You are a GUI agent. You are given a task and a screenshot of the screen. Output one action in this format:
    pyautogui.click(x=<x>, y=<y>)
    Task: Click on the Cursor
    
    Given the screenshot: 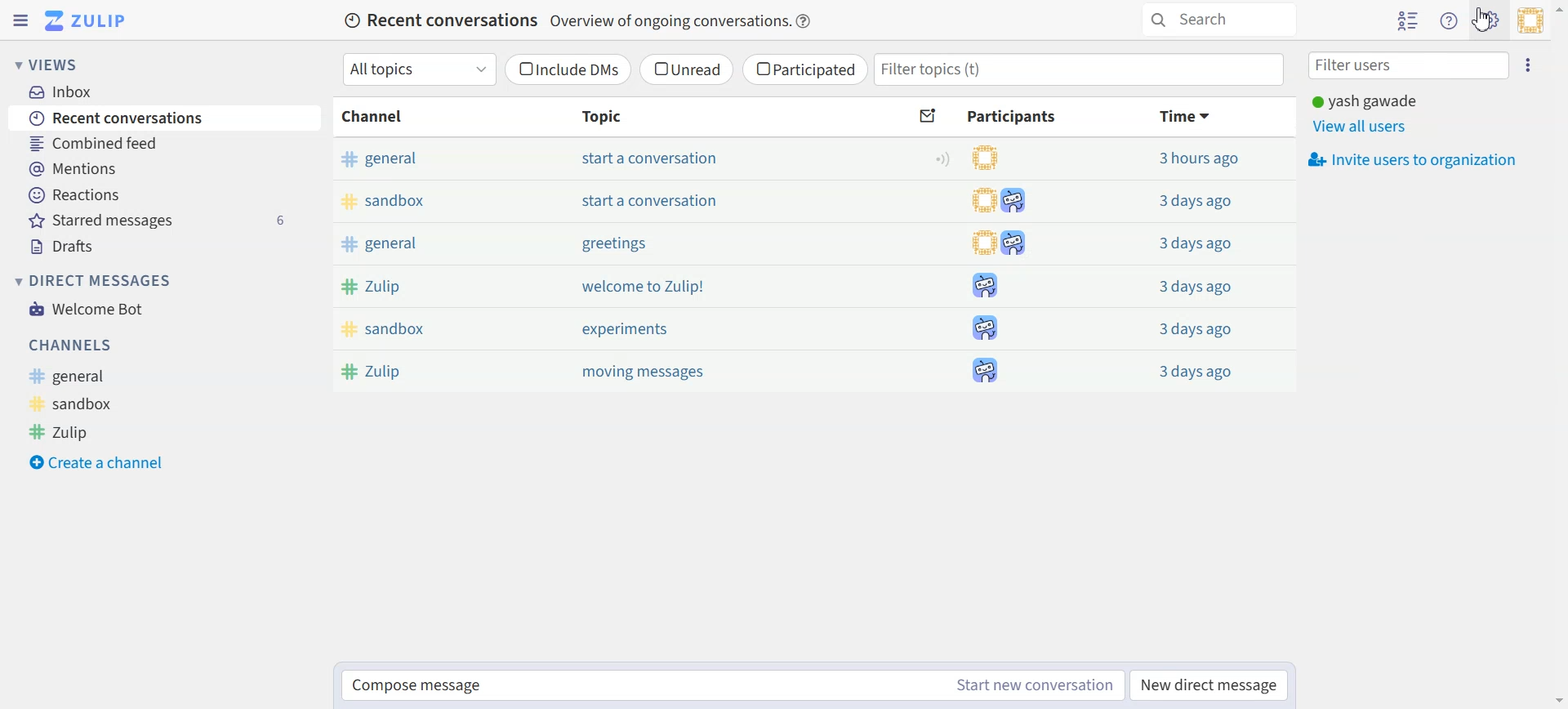 What is the action you would take?
    pyautogui.click(x=1486, y=20)
    